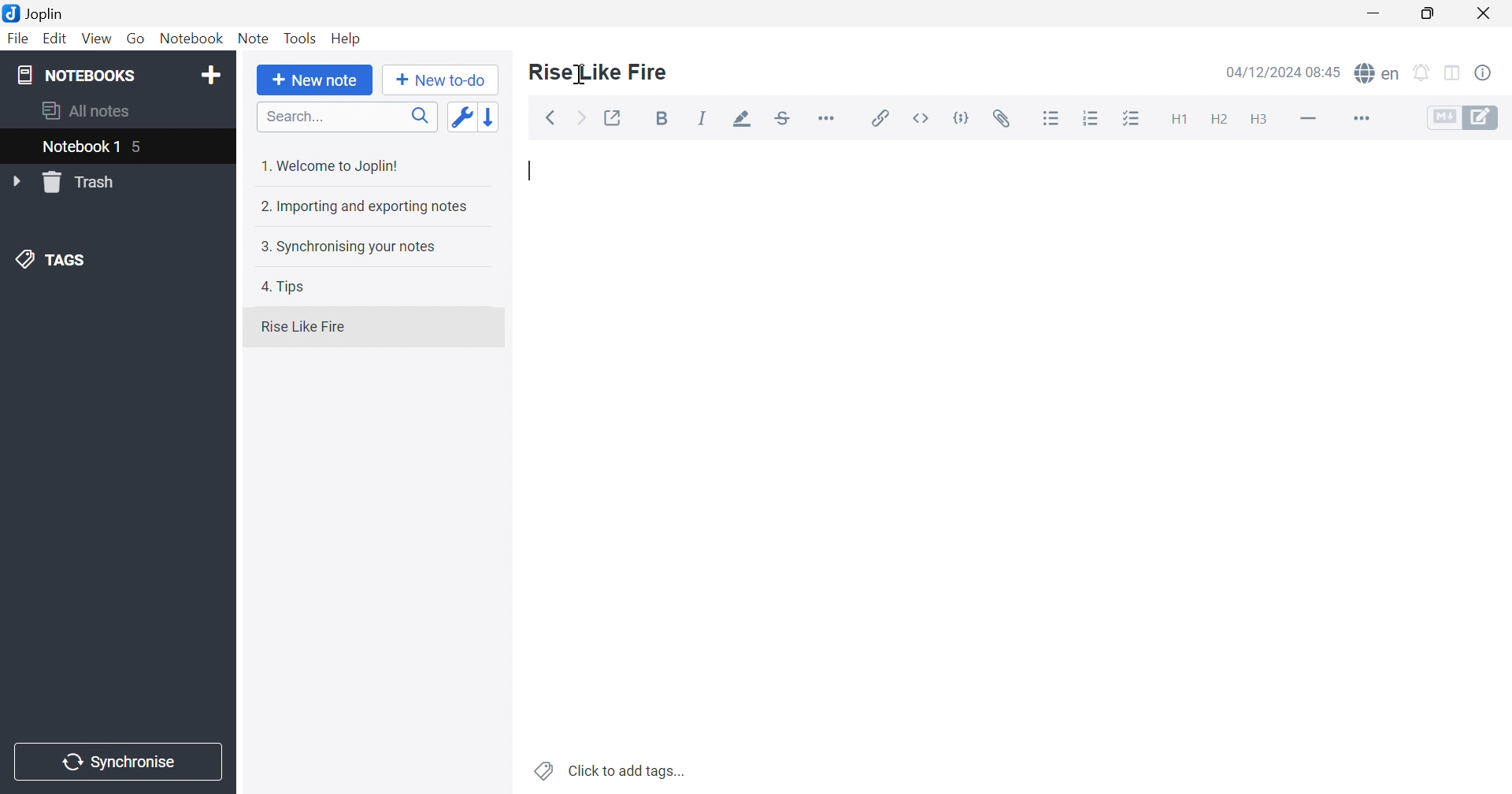  Describe the element at coordinates (1004, 118) in the screenshot. I see `Attach file` at that location.